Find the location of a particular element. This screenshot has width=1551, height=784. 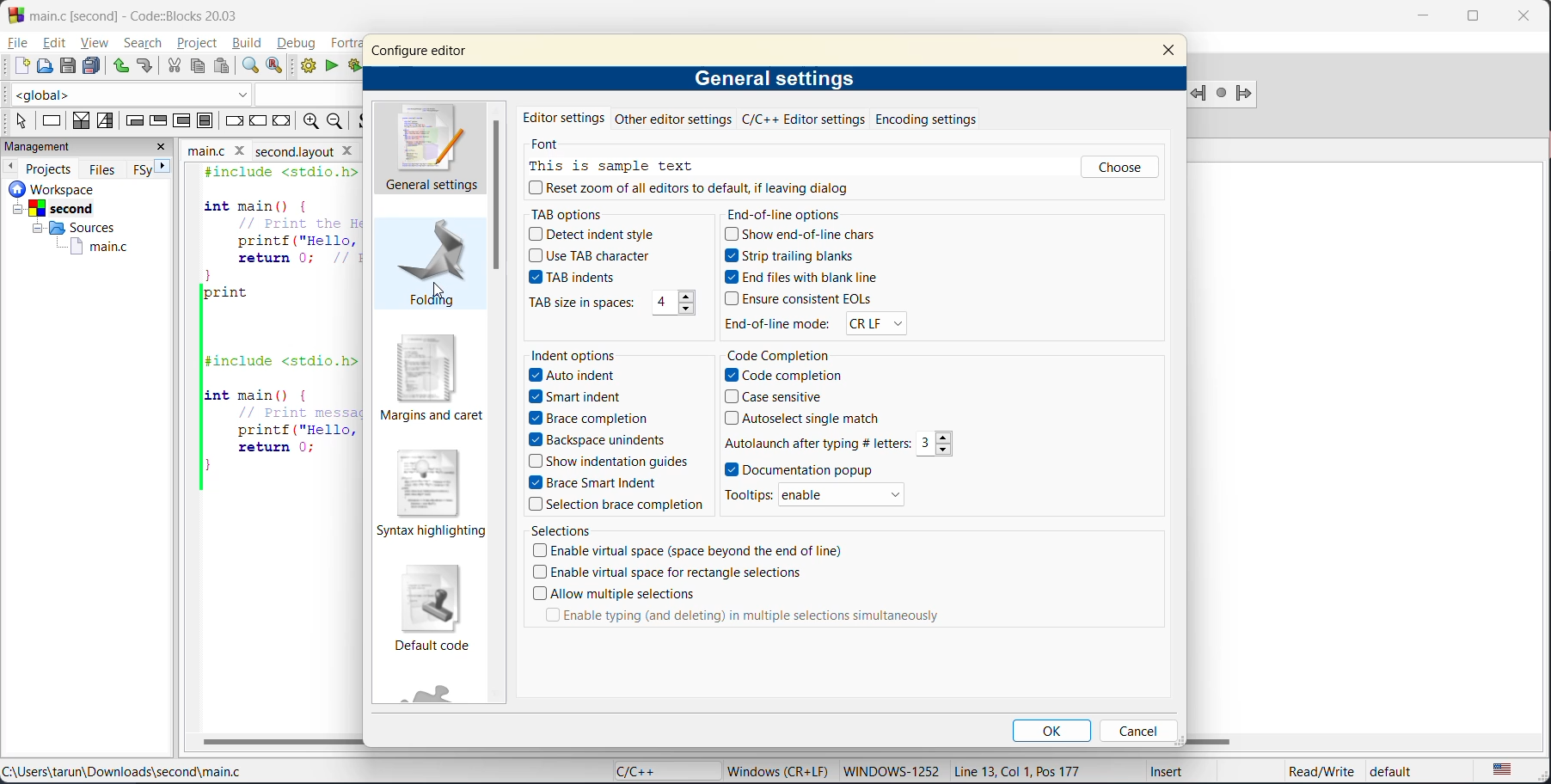

redo is located at coordinates (148, 68).